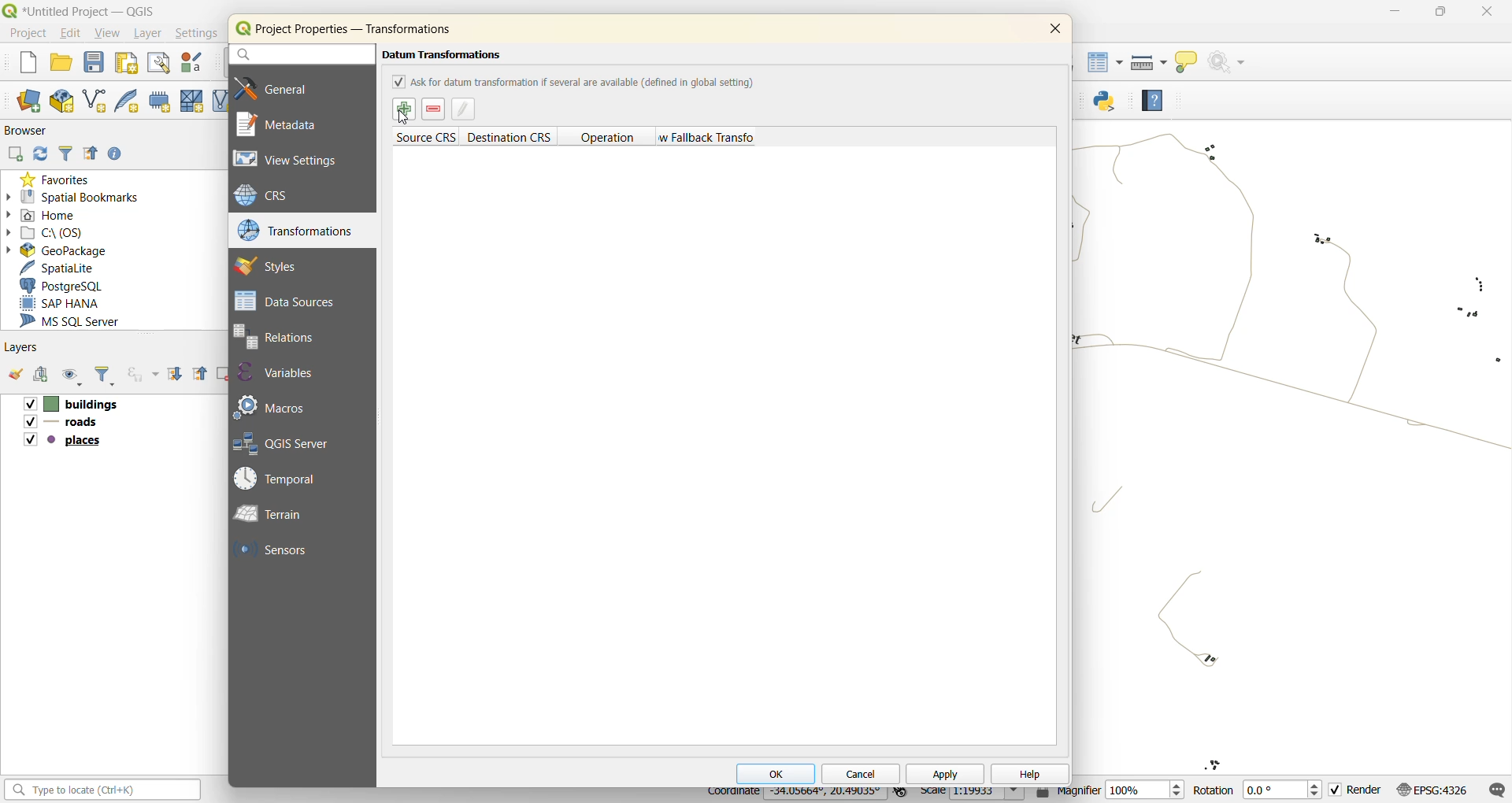 Image resolution: width=1512 pixels, height=803 pixels. Describe the element at coordinates (131, 101) in the screenshot. I see `new spatialite` at that location.